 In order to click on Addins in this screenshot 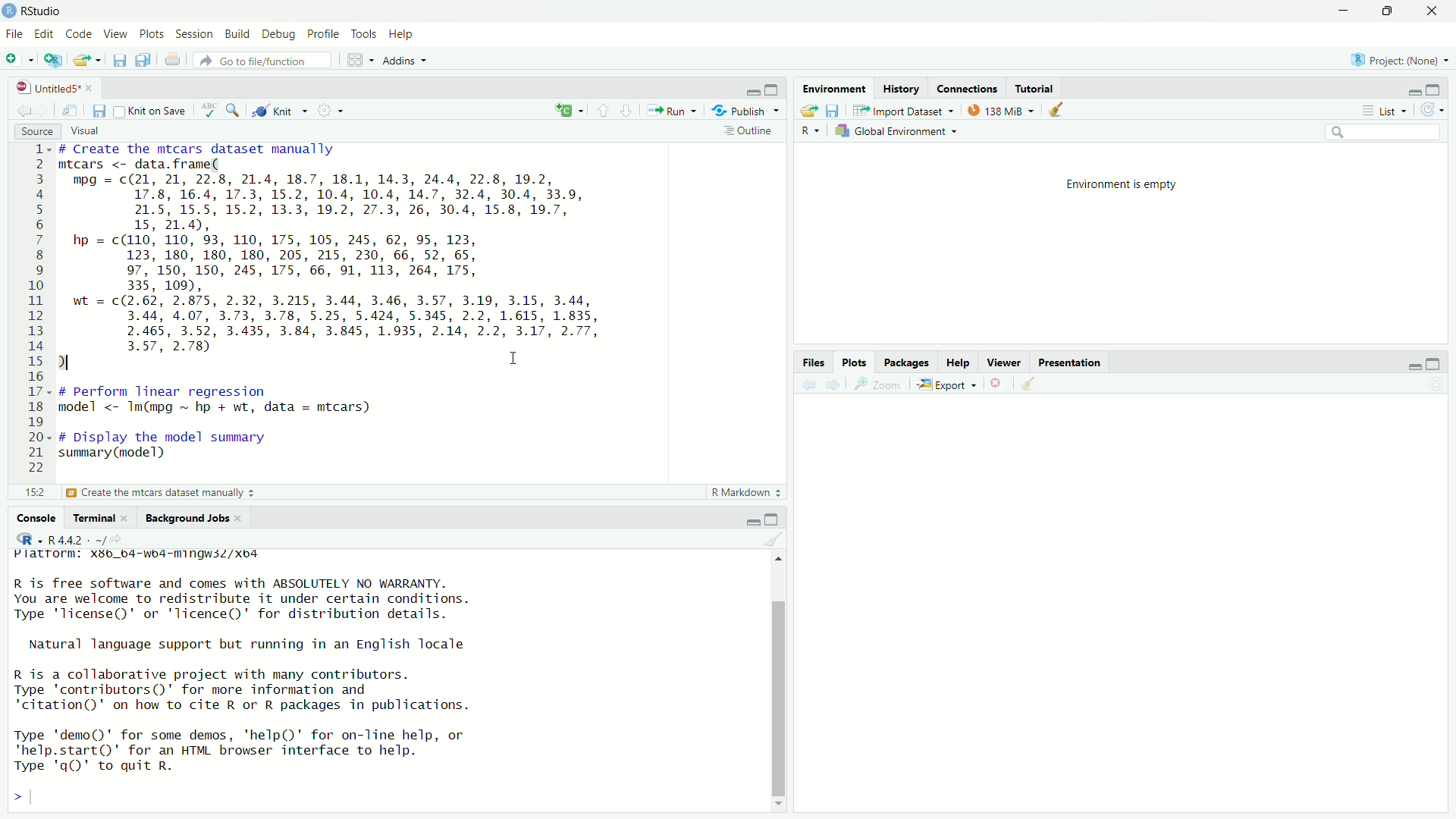, I will do `click(400, 62)`.